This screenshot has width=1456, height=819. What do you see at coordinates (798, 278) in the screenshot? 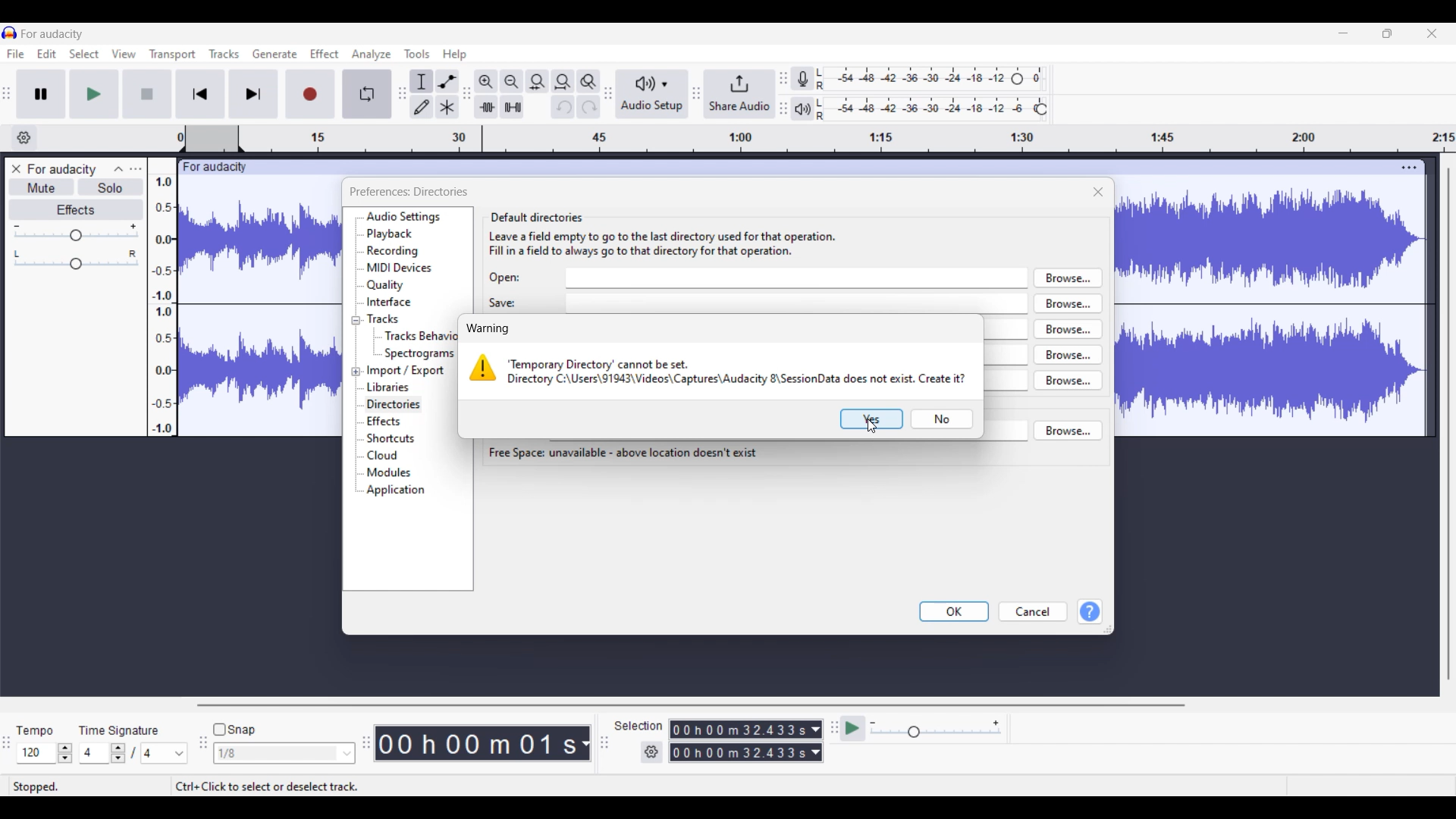
I see `open input box` at bounding box center [798, 278].